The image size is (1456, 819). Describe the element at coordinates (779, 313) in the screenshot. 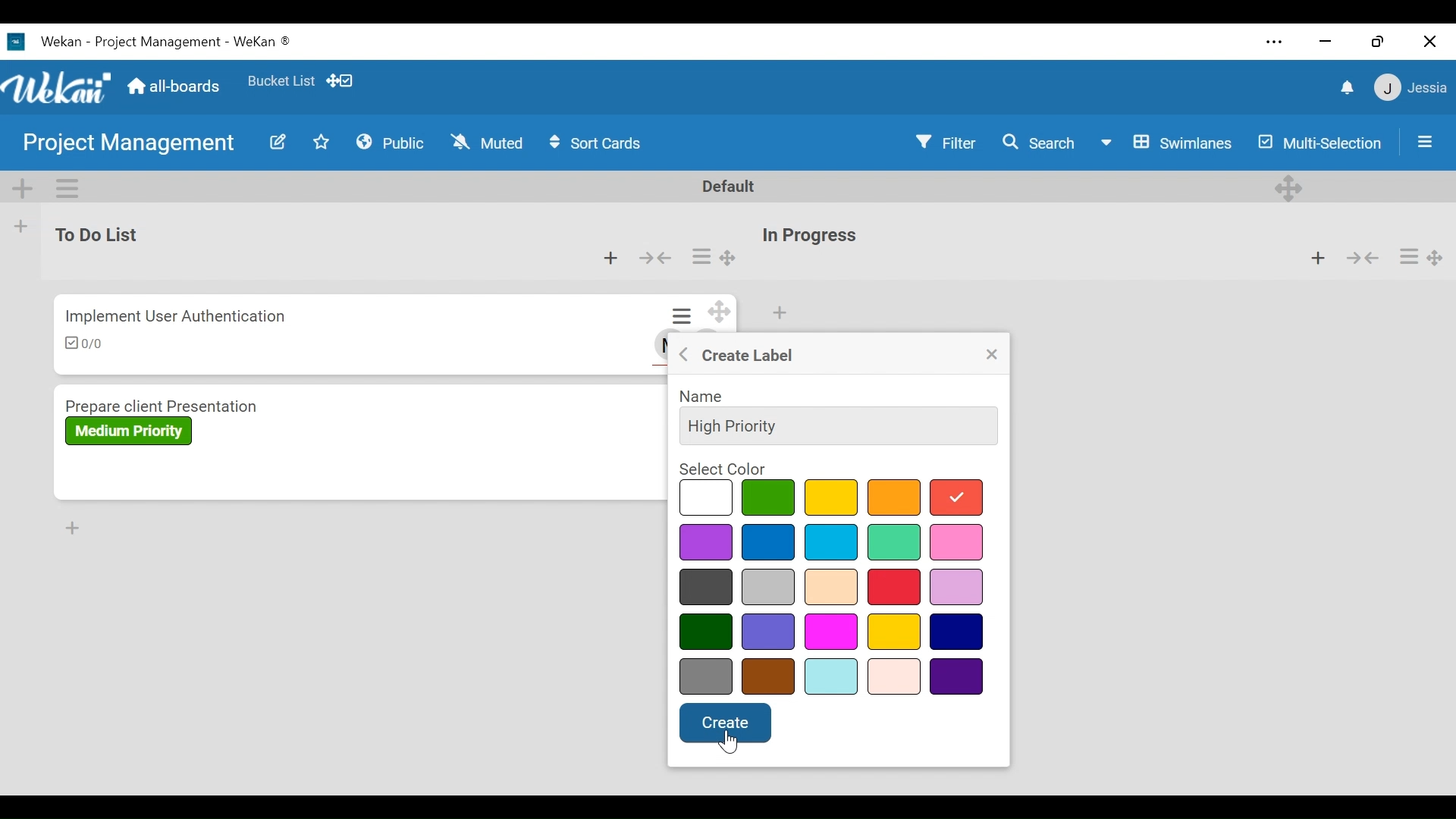

I see `Add card to top of the list` at that location.